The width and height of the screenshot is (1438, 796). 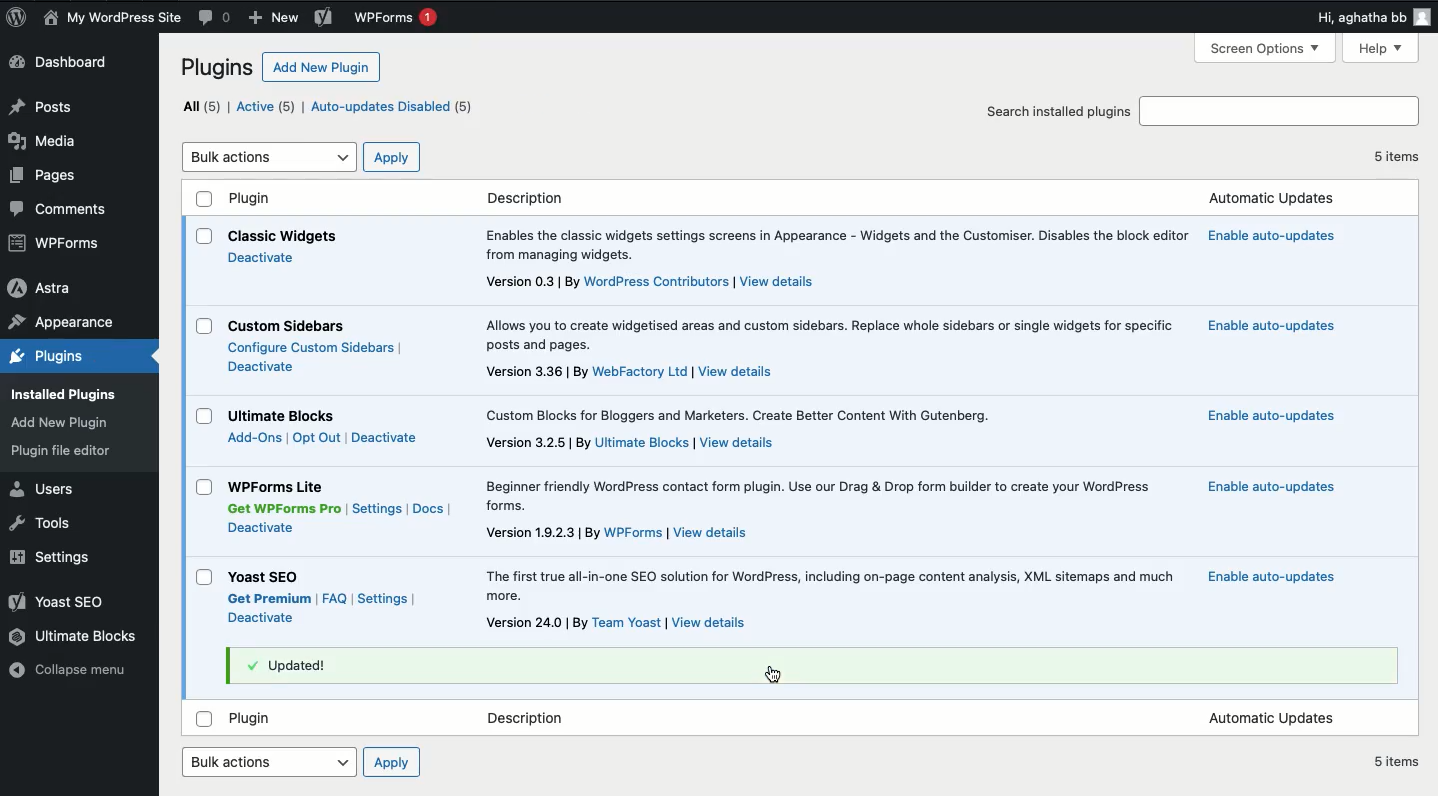 I want to click on Checkbox, so click(x=205, y=578).